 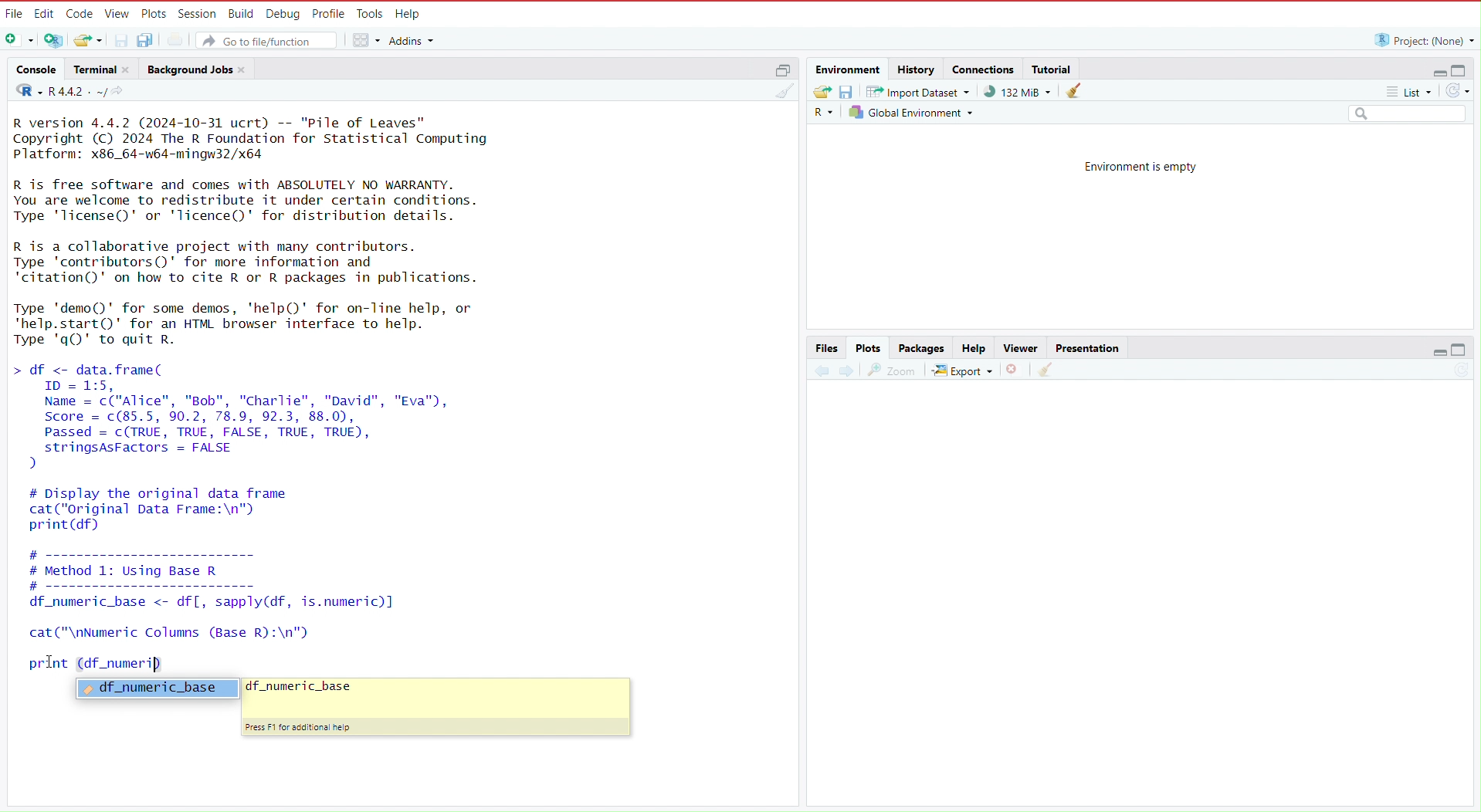 What do you see at coordinates (409, 12) in the screenshot?
I see `Help` at bounding box center [409, 12].